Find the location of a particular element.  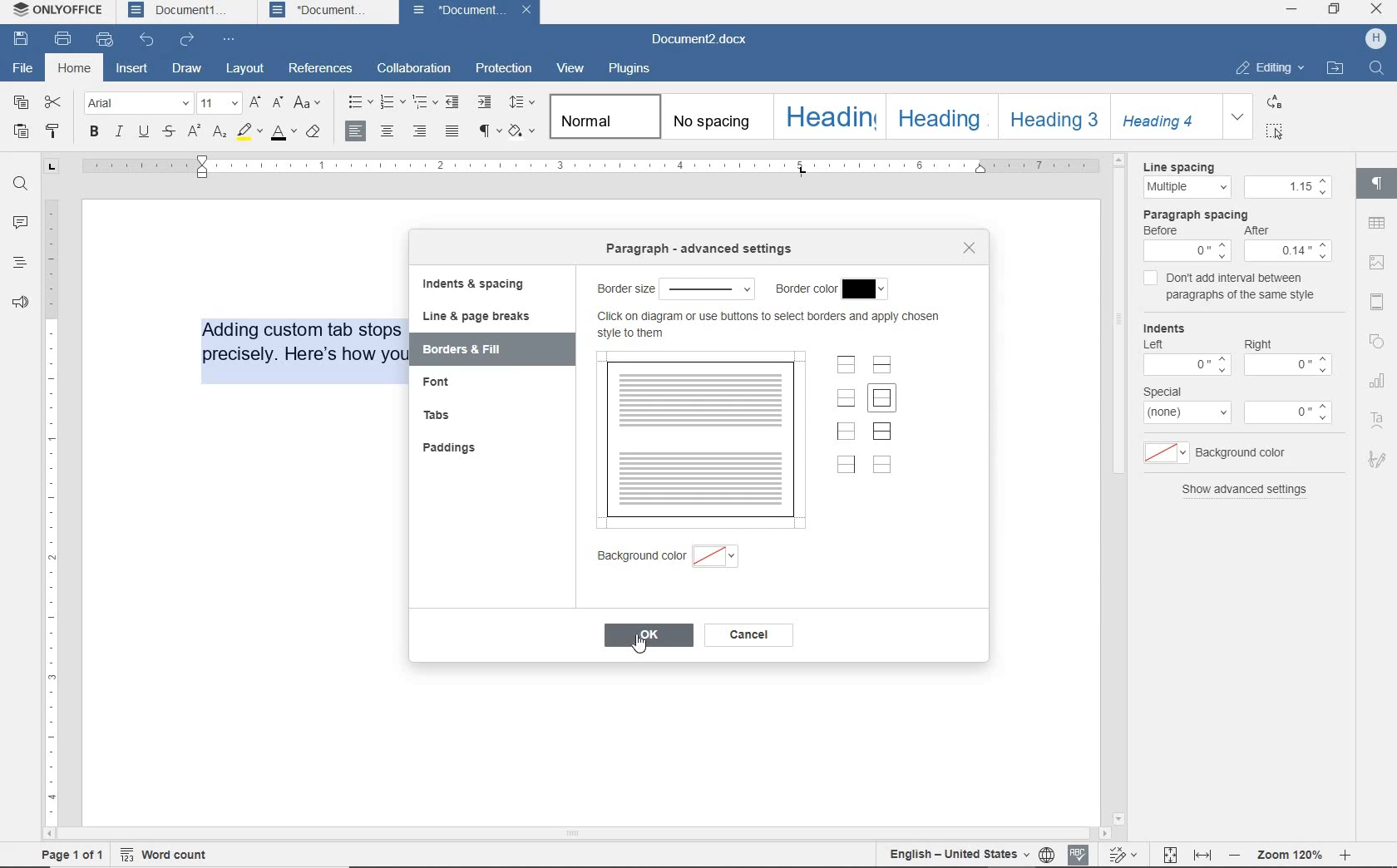

line & page breaks is located at coordinates (486, 317).